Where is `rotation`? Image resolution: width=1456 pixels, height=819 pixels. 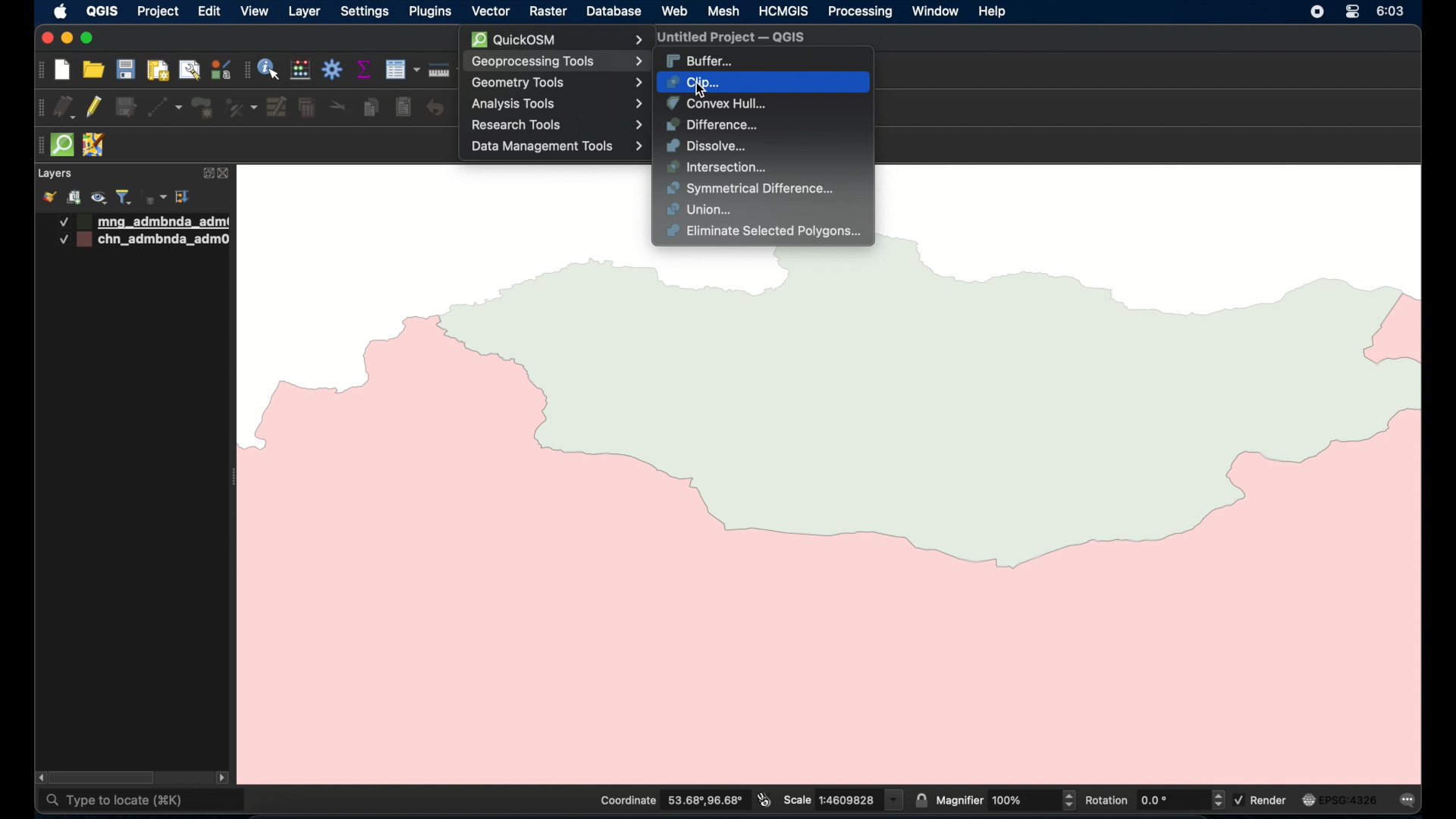
rotation is located at coordinates (1153, 799).